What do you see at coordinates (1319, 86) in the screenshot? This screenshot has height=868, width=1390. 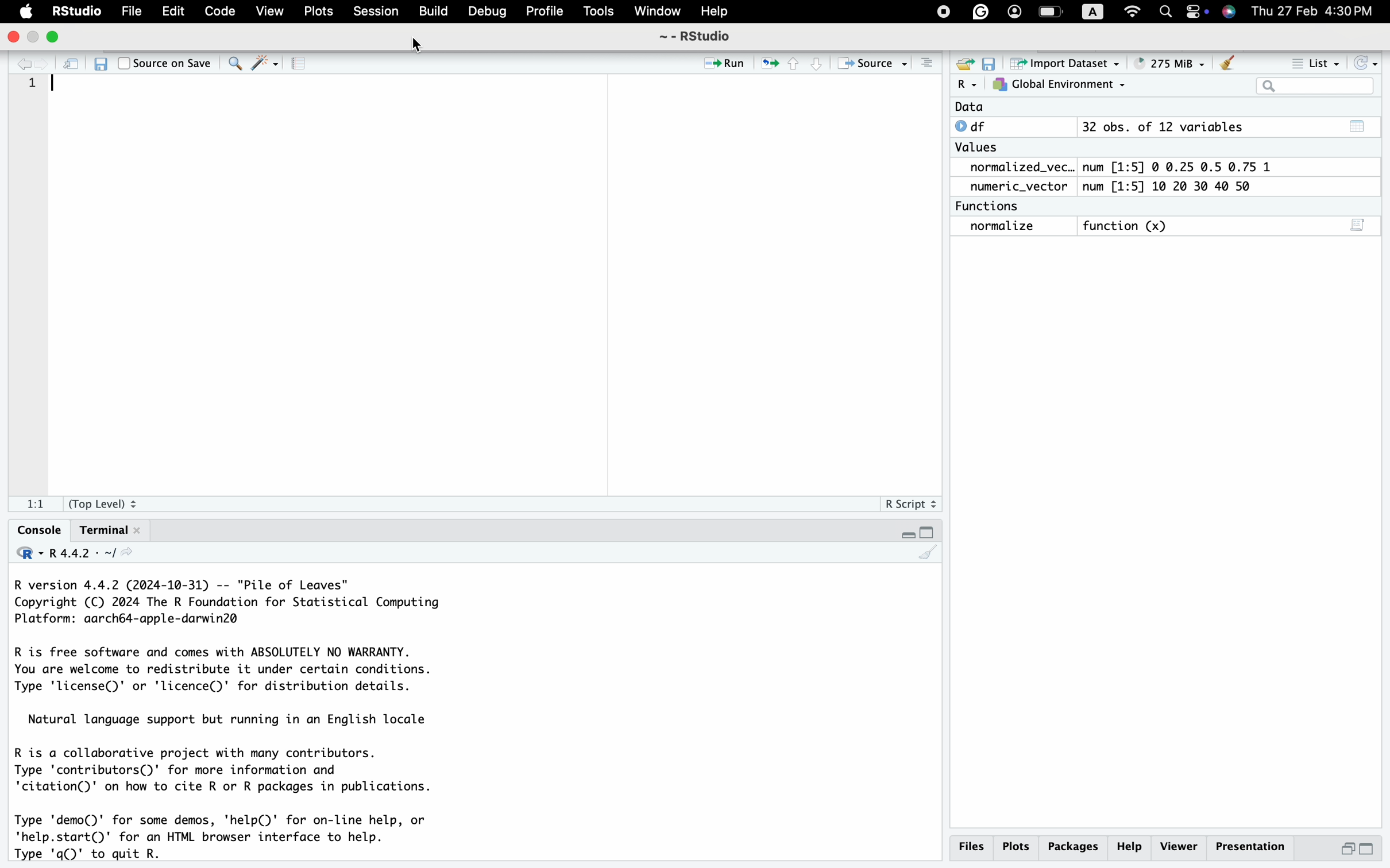 I see `search field` at bounding box center [1319, 86].